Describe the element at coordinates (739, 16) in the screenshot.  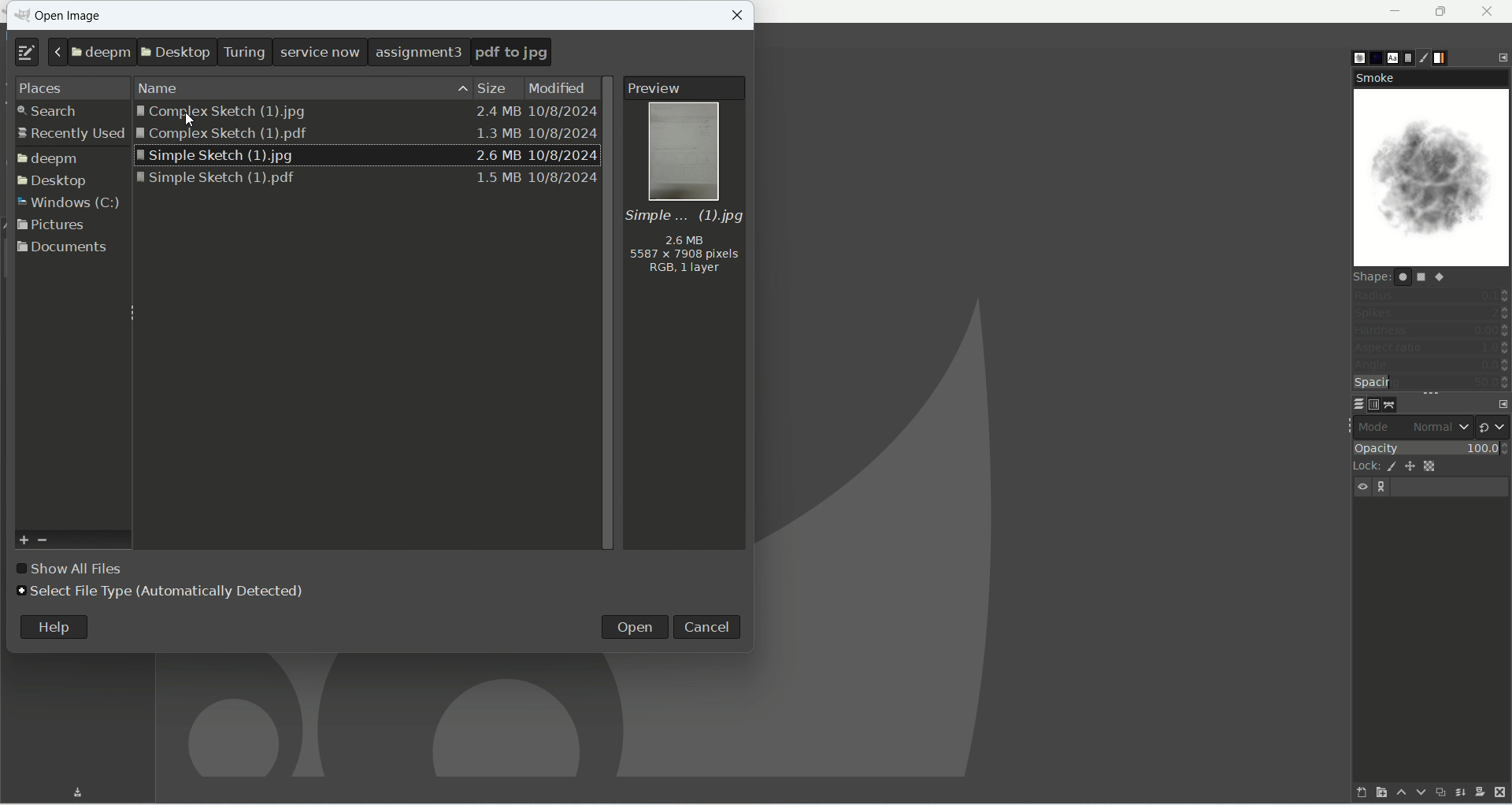
I see `close` at that location.